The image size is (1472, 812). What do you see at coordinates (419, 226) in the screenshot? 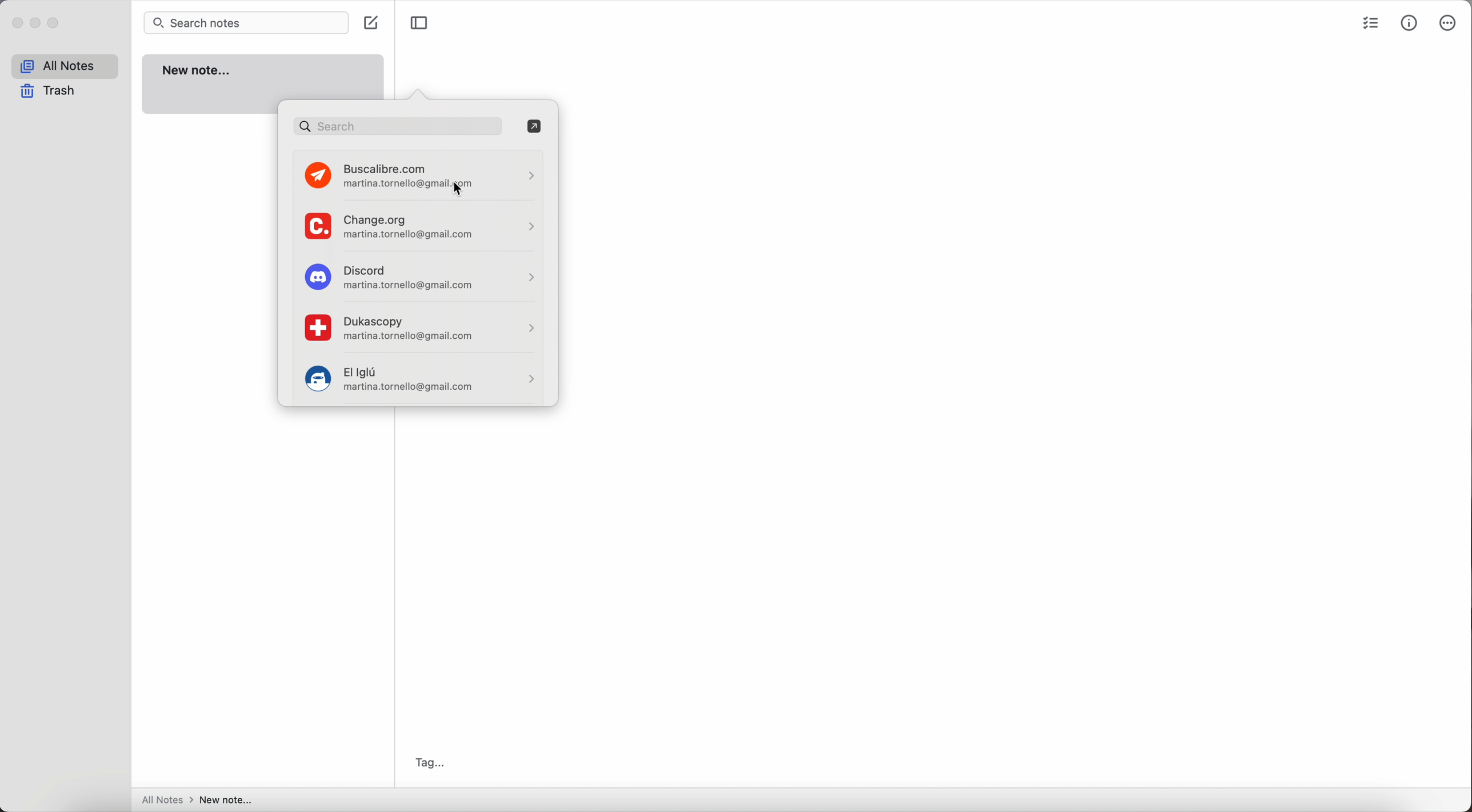
I see `change.org` at bounding box center [419, 226].